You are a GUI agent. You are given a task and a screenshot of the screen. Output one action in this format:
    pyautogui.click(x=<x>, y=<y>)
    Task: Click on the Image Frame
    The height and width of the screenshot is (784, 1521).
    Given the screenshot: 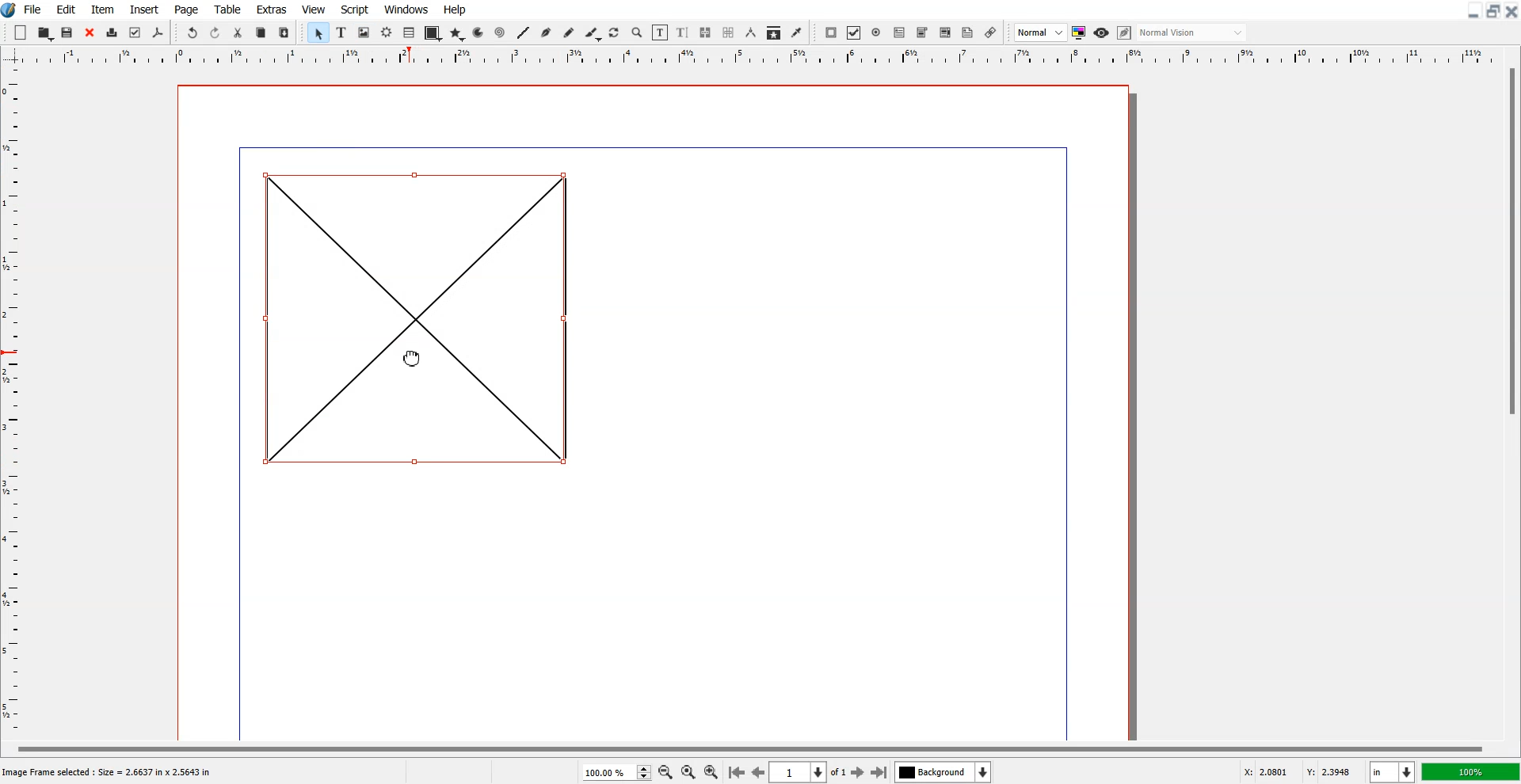 What is the action you would take?
    pyautogui.click(x=364, y=32)
    